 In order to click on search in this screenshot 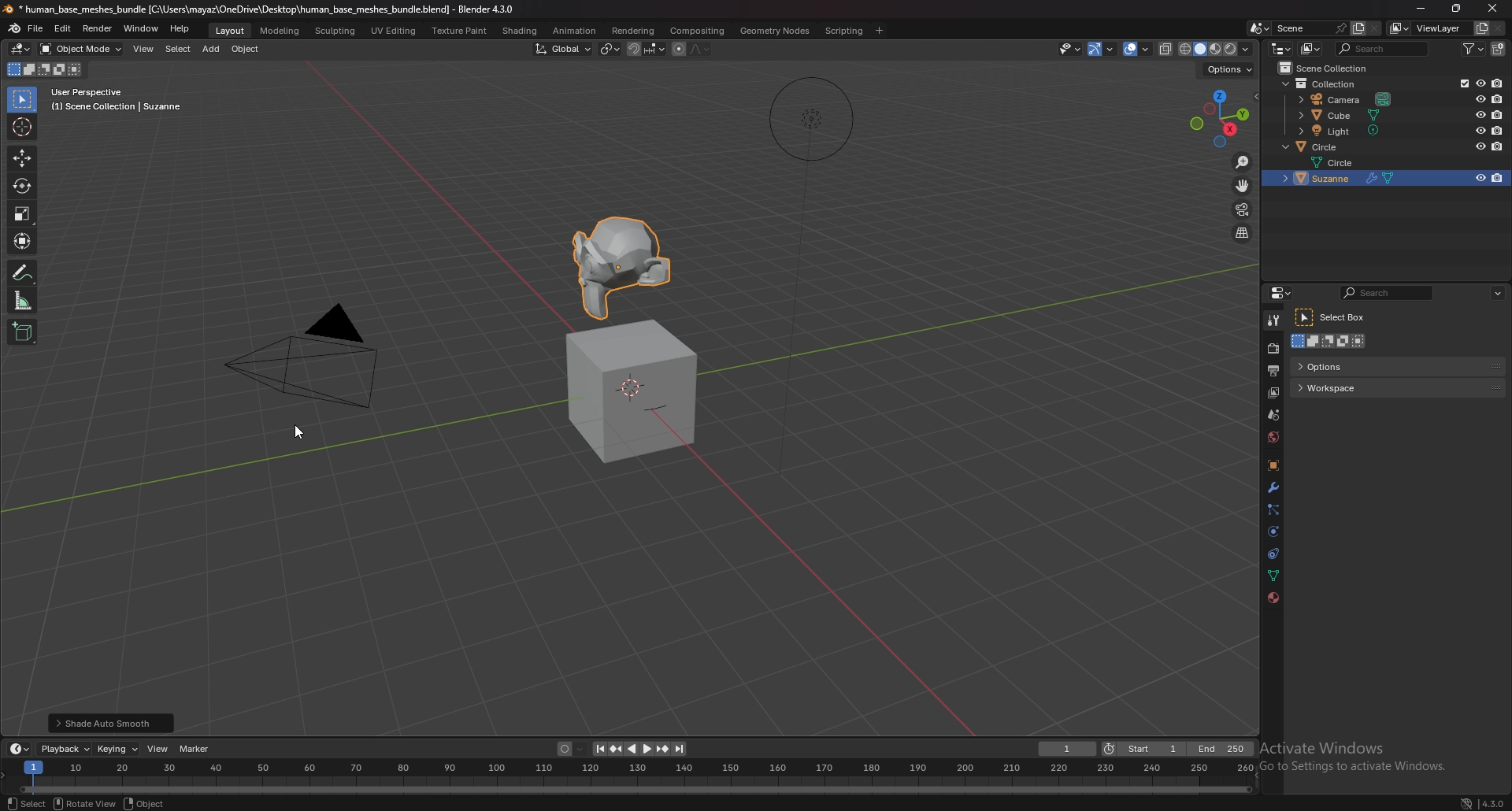, I will do `click(1388, 293)`.